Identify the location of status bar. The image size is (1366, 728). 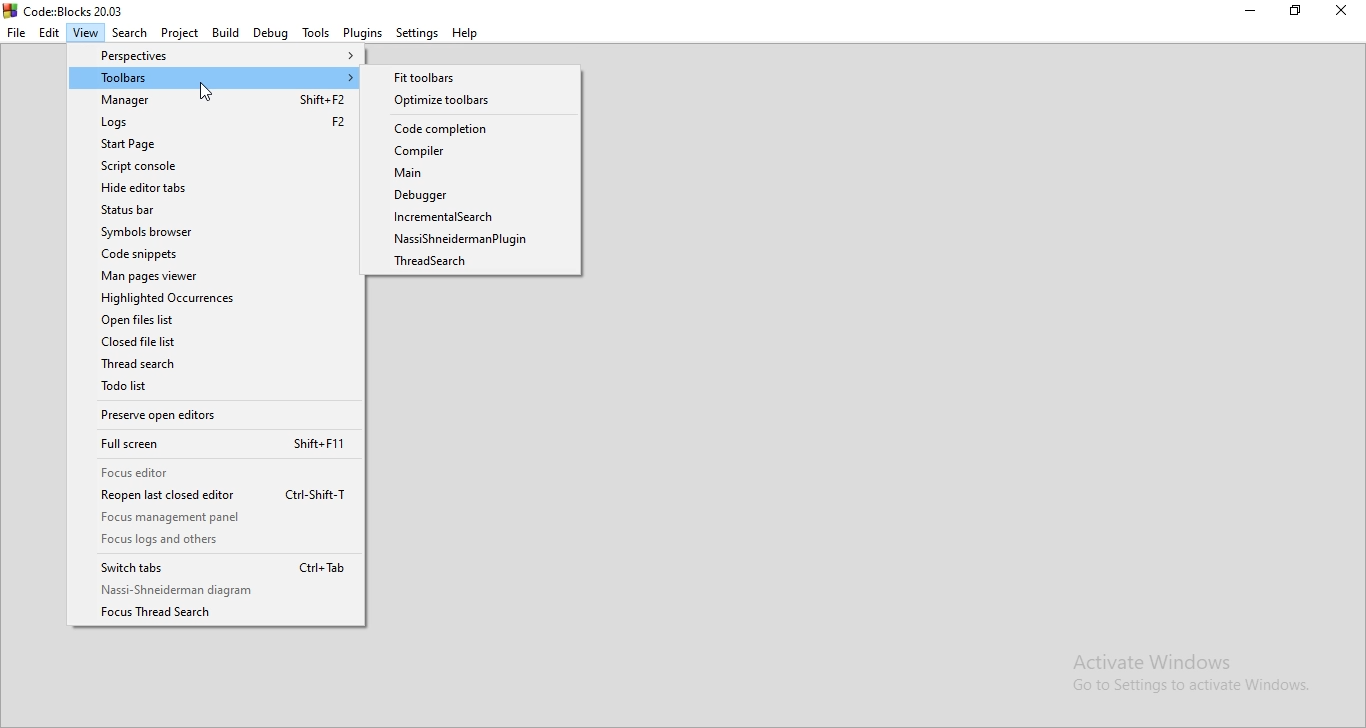
(211, 211).